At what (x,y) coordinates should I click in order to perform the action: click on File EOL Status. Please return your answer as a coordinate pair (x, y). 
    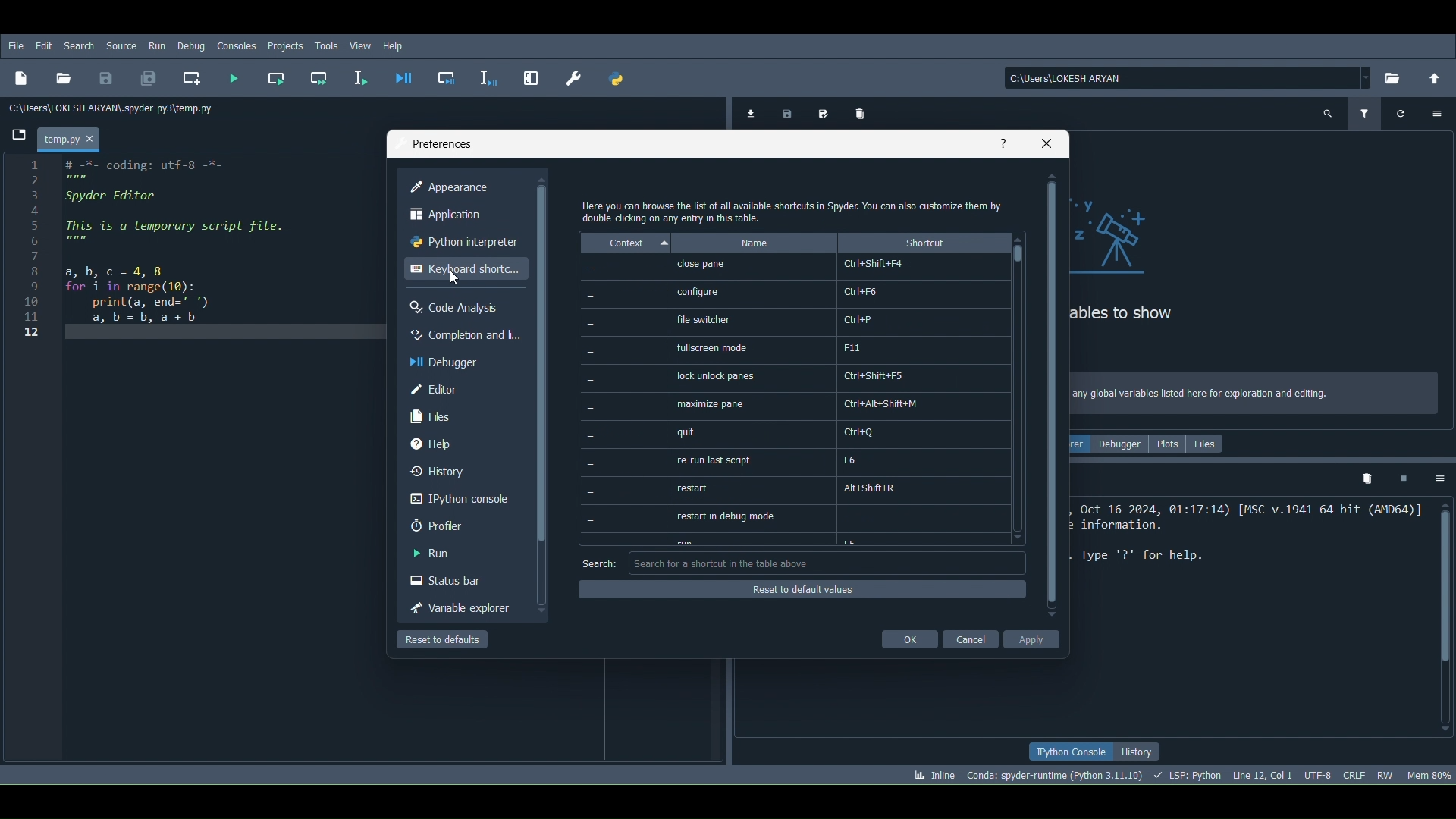
    Looking at the image, I should click on (1355, 772).